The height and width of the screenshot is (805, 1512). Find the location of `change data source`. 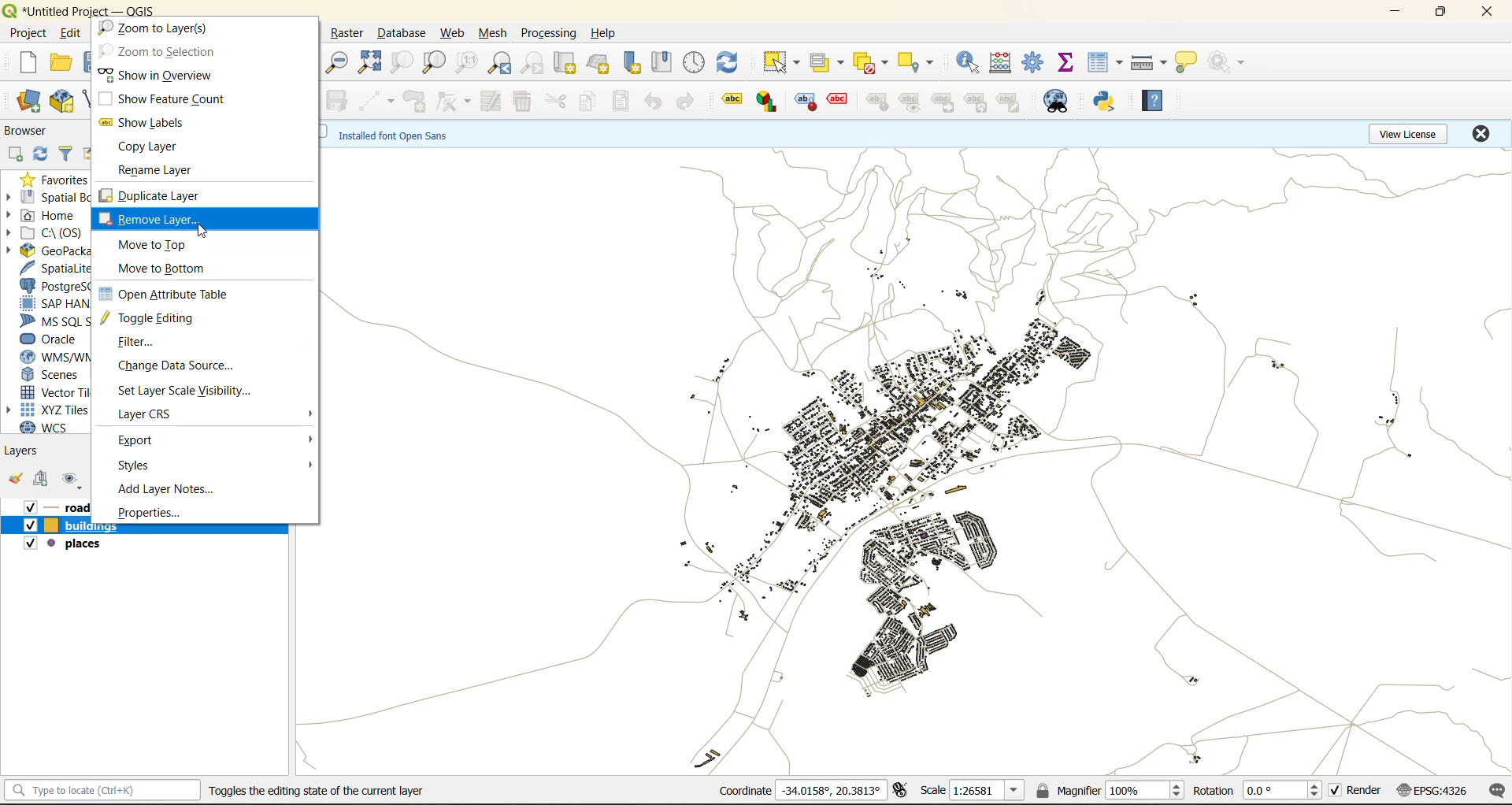

change data source is located at coordinates (180, 365).